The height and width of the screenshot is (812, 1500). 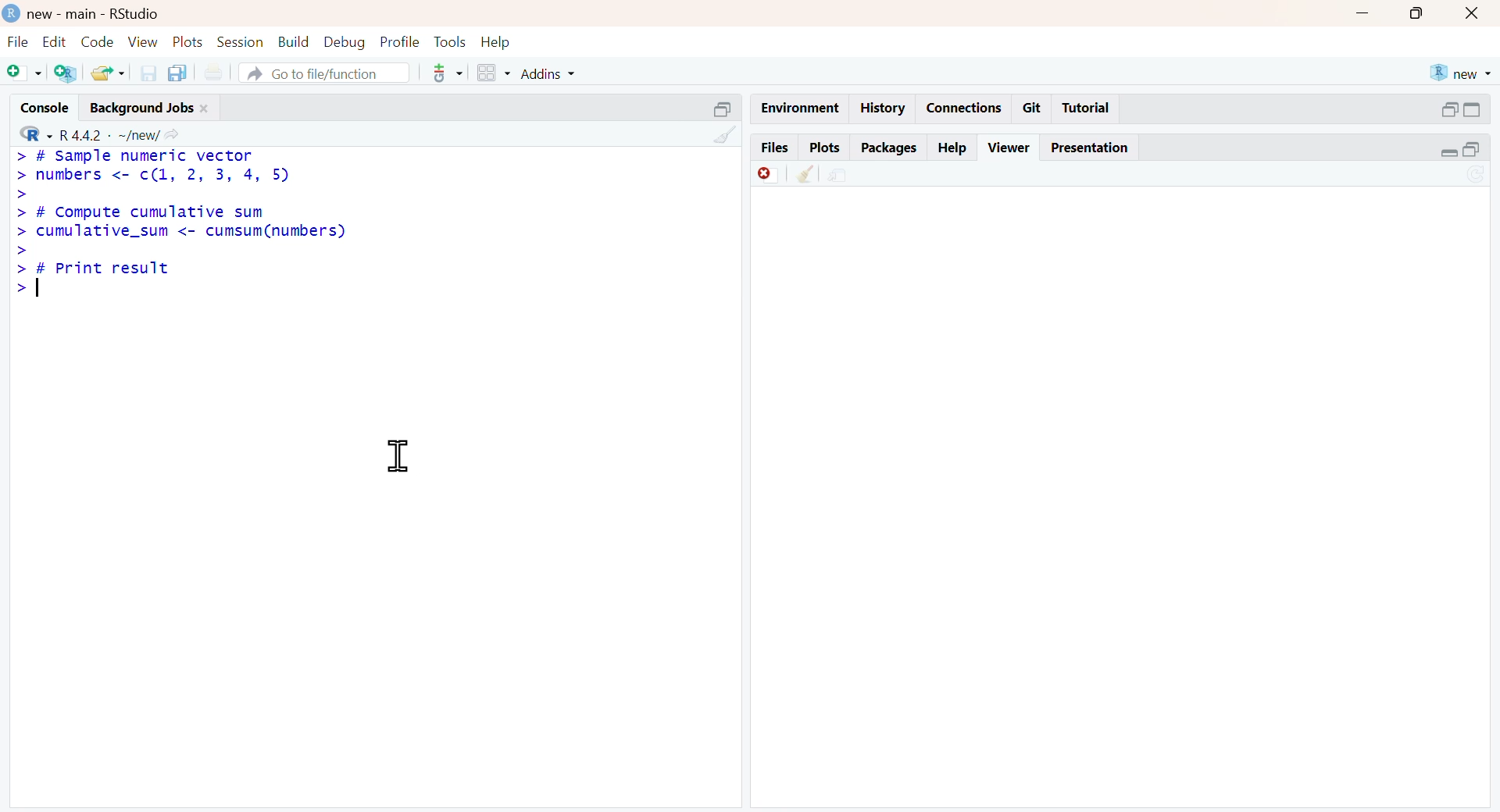 I want to click on add R file, so click(x=66, y=73).